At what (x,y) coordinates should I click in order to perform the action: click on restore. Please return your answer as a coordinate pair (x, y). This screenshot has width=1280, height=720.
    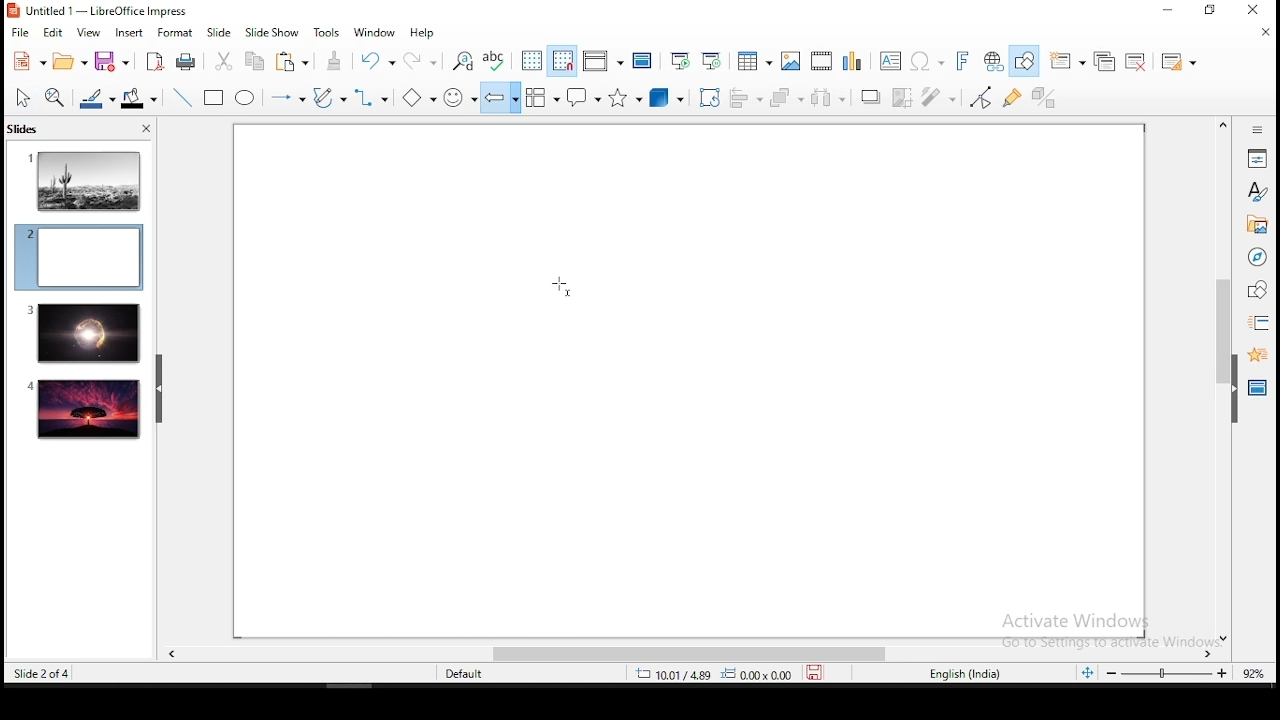
    Looking at the image, I should click on (1211, 11).